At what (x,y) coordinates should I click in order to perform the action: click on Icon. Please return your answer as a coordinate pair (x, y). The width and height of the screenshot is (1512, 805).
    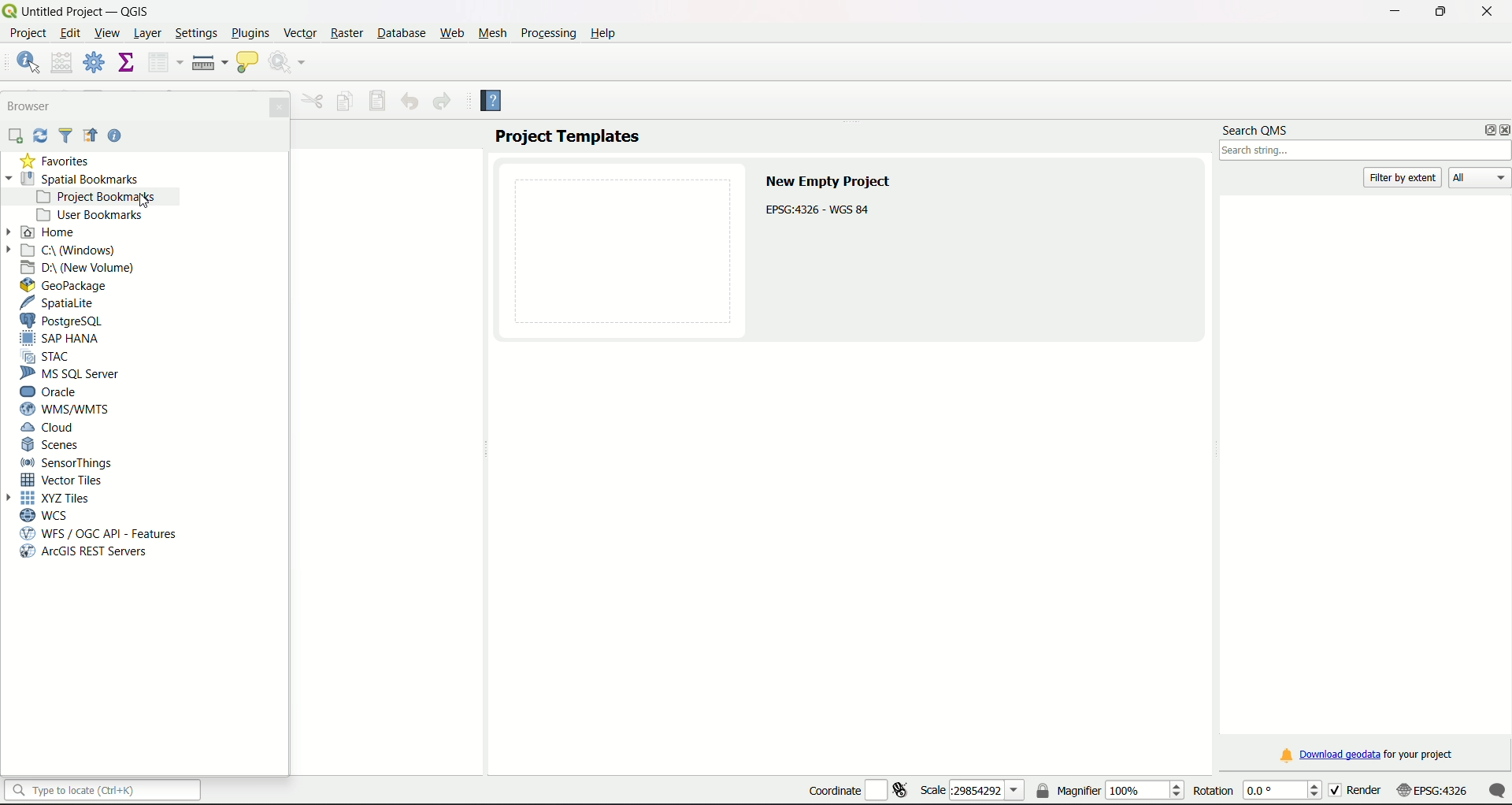
    Looking at the image, I should click on (90, 136).